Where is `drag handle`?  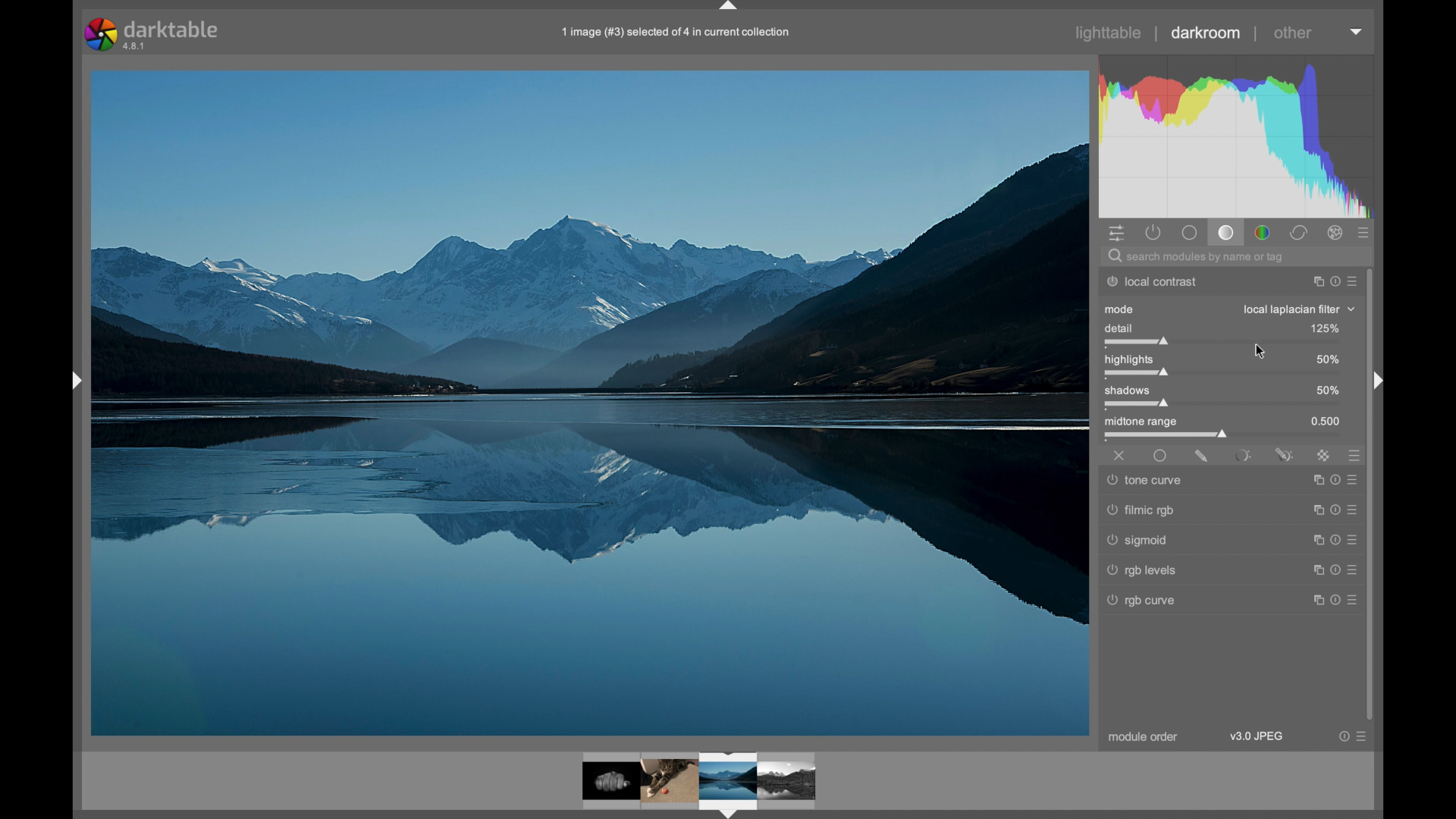 drag handle is located at coordinates (1382, 383).